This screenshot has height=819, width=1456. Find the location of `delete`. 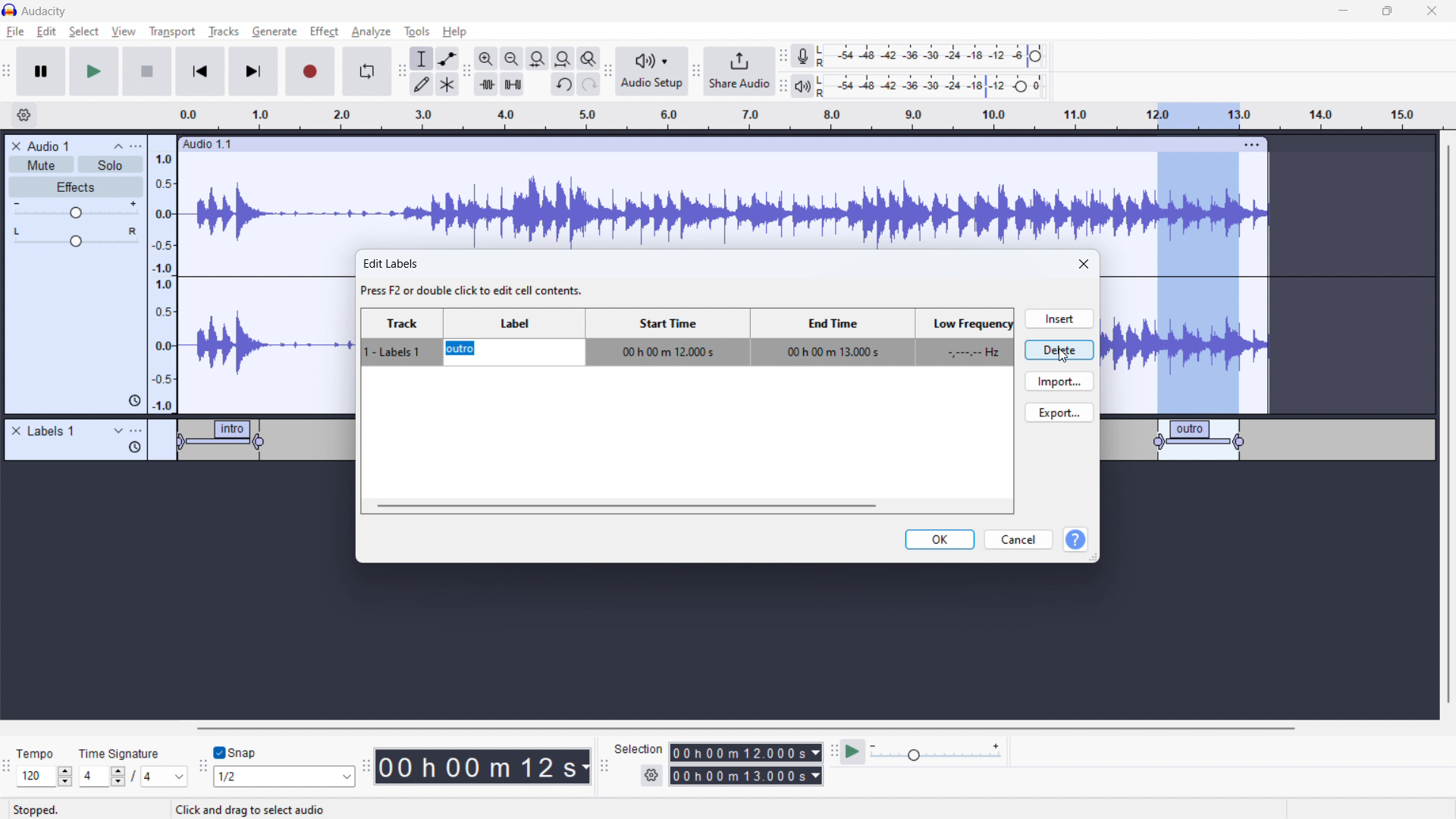

delete is located at coordinates (1059, 349).